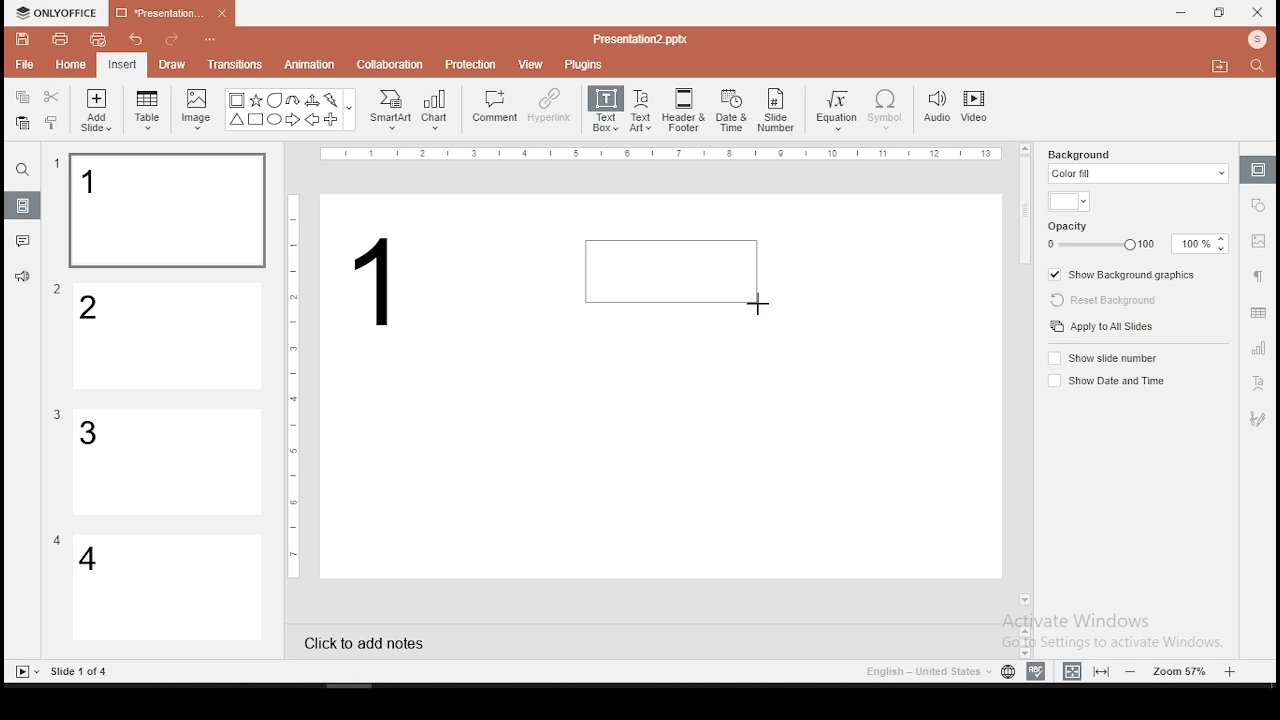 The width and height of the screenshot is (1280, 720). I want to click on image, so click(198, 109).